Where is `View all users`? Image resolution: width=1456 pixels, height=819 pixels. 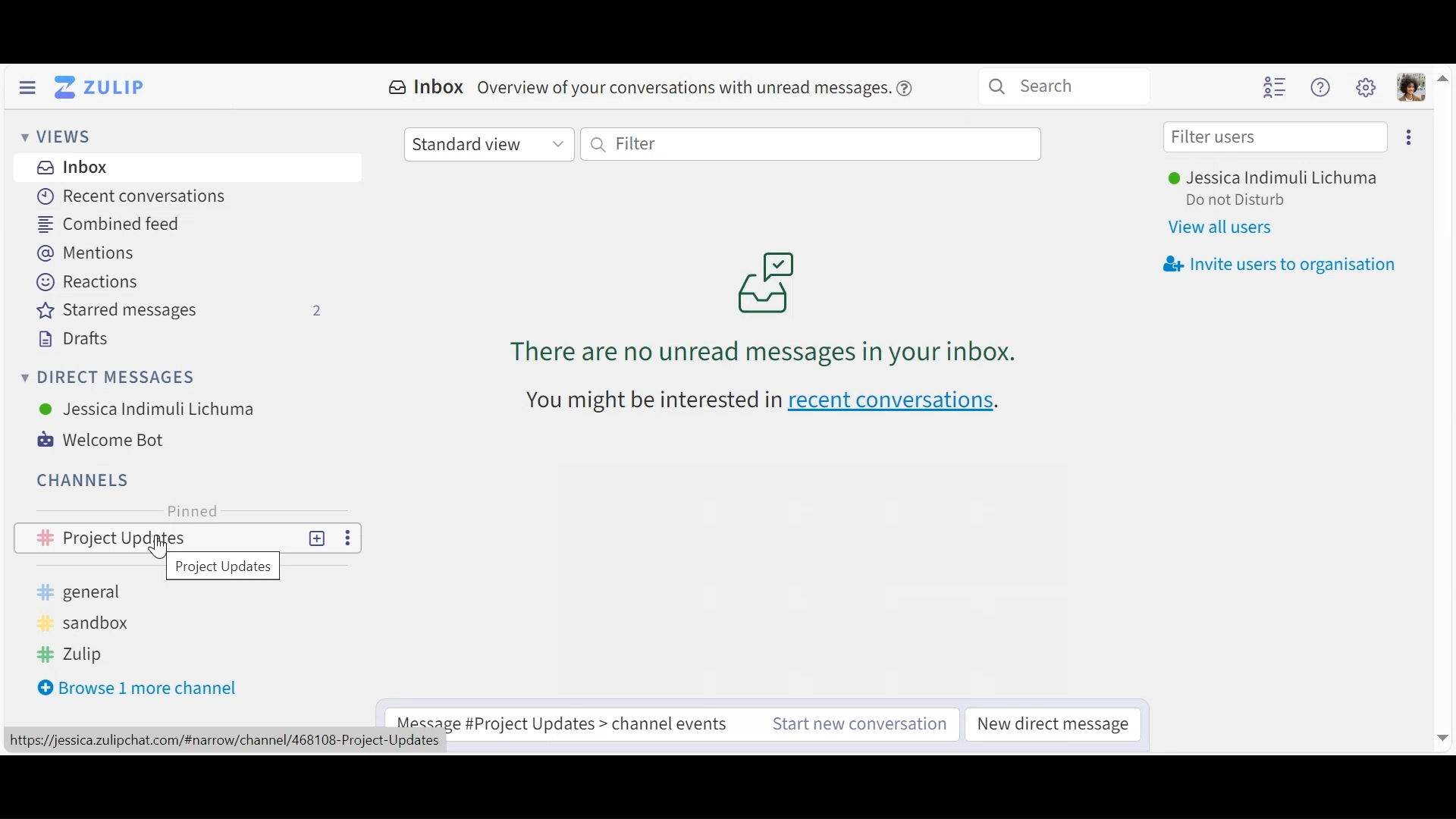 View all users is located at coordinates (1223, 227).